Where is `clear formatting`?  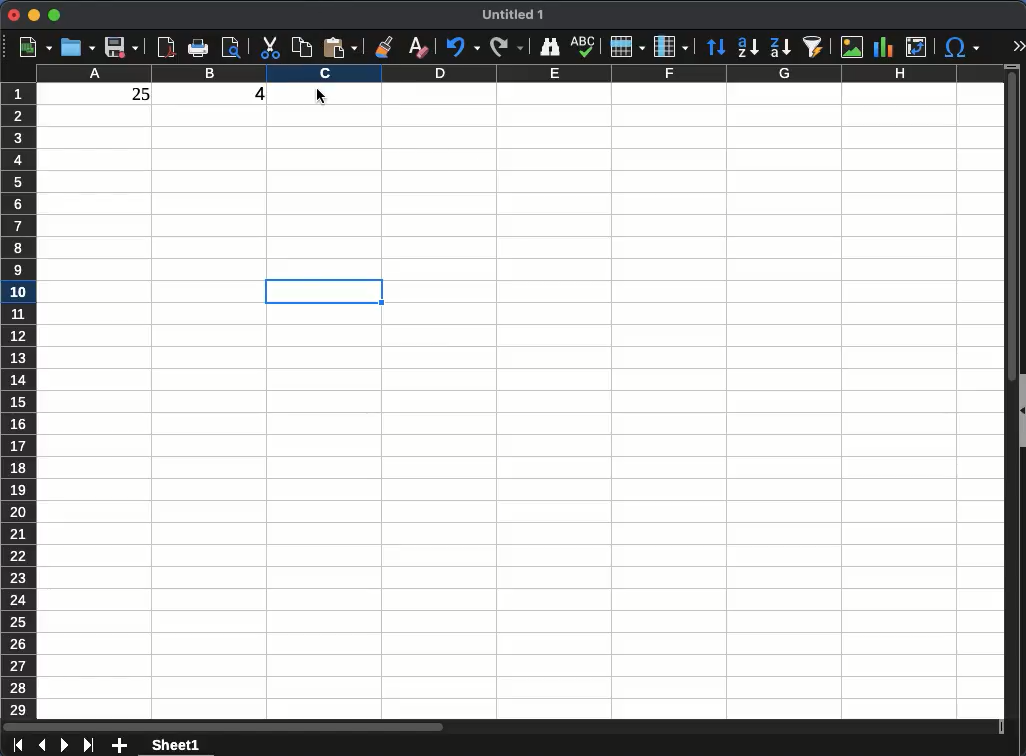
clear formatting is located at coordinates (420, 47).